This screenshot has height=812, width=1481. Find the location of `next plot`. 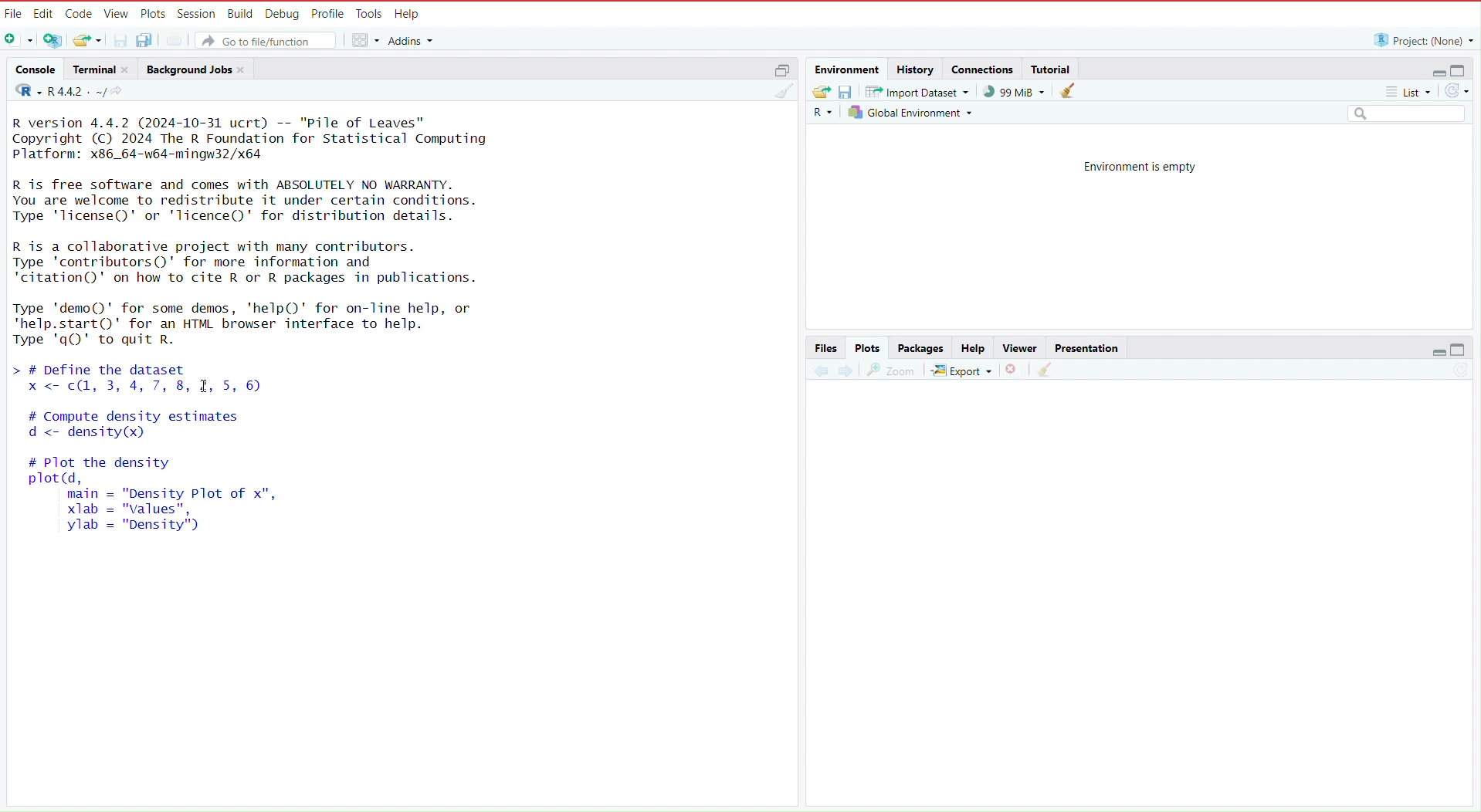

next plot is located at coordinates (846, 371).